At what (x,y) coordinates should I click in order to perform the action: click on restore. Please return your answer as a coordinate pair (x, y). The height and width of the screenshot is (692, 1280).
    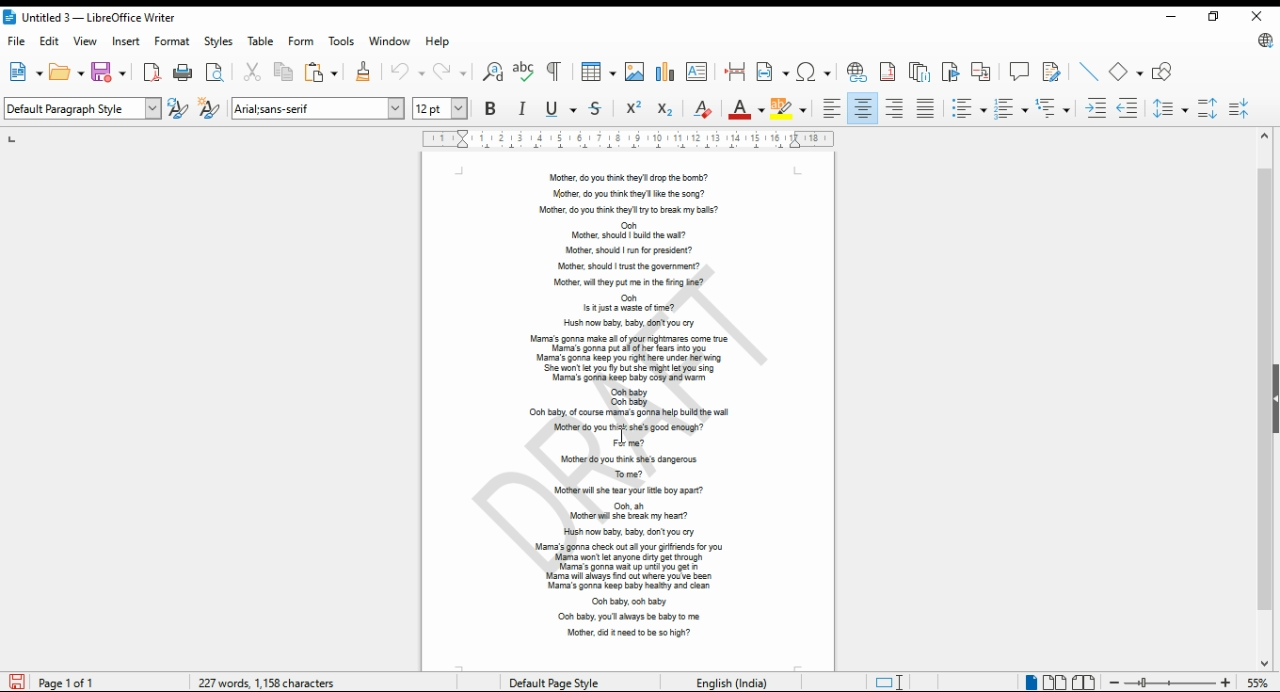
    Looking at the image, I should click on (1211, 17).